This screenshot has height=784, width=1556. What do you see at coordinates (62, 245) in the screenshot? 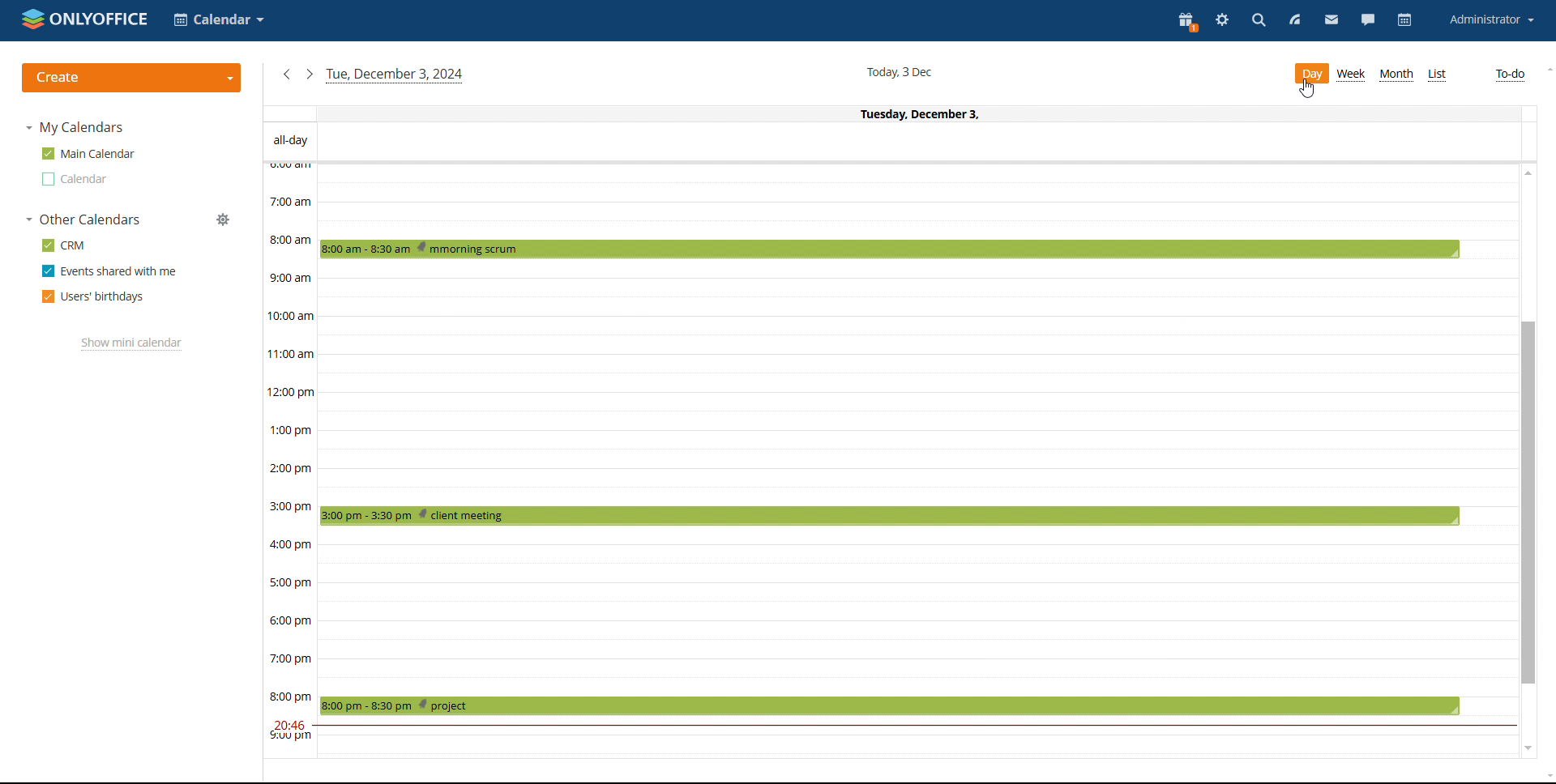
I see `crm` at bounding box center [62, 245].